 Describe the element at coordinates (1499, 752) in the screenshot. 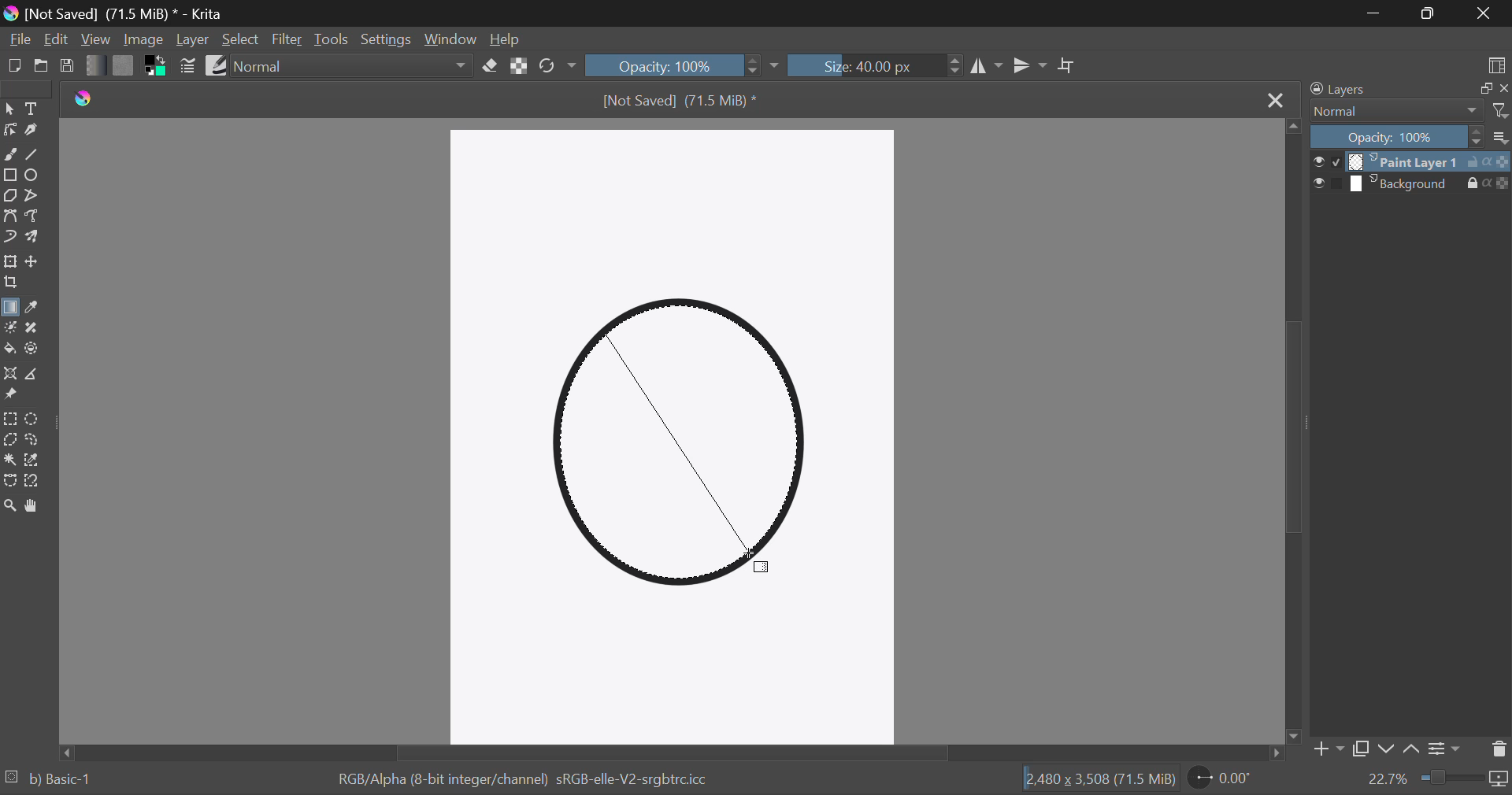

I see `Delete Layer` at that location.